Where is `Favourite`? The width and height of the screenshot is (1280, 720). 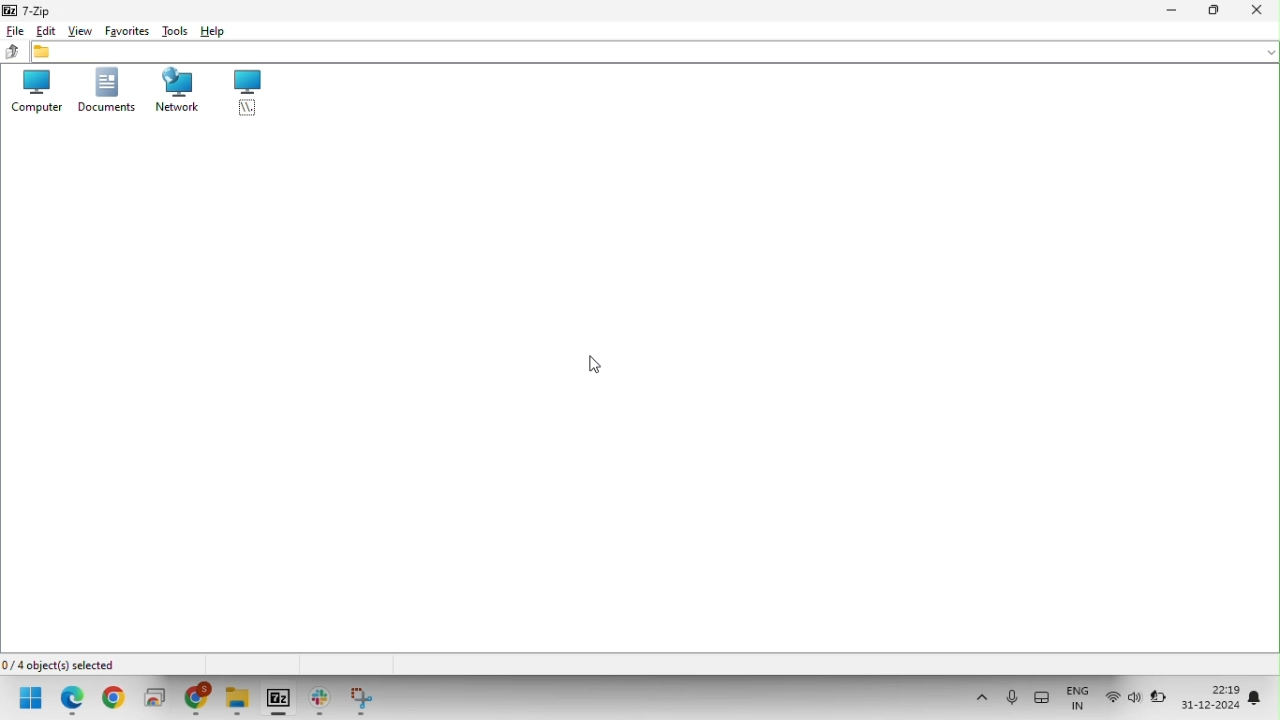
Favourite is located at coordinates (122, 29).